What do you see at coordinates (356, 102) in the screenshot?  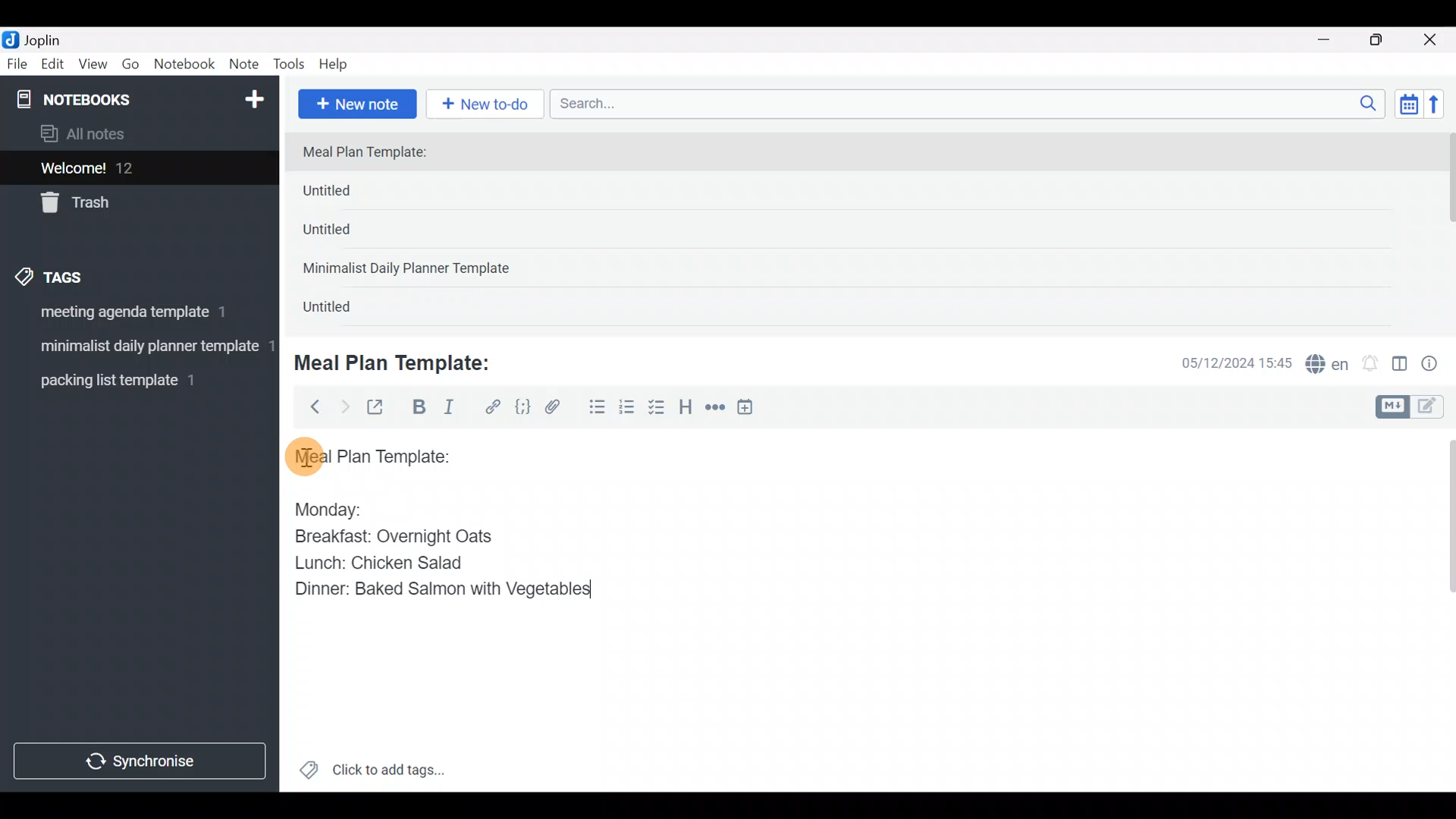 I see `New note` at bounding box center [356, 102].